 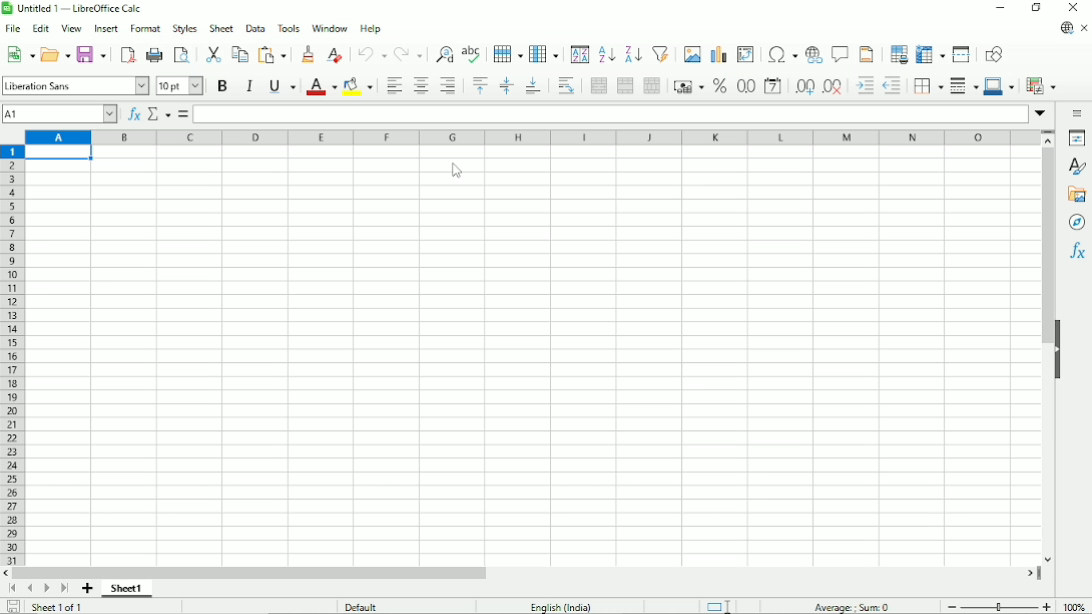 What do you see at coordinates (363, 606) in the screenshot?
I see `Default` at bounding box center [363, 606].